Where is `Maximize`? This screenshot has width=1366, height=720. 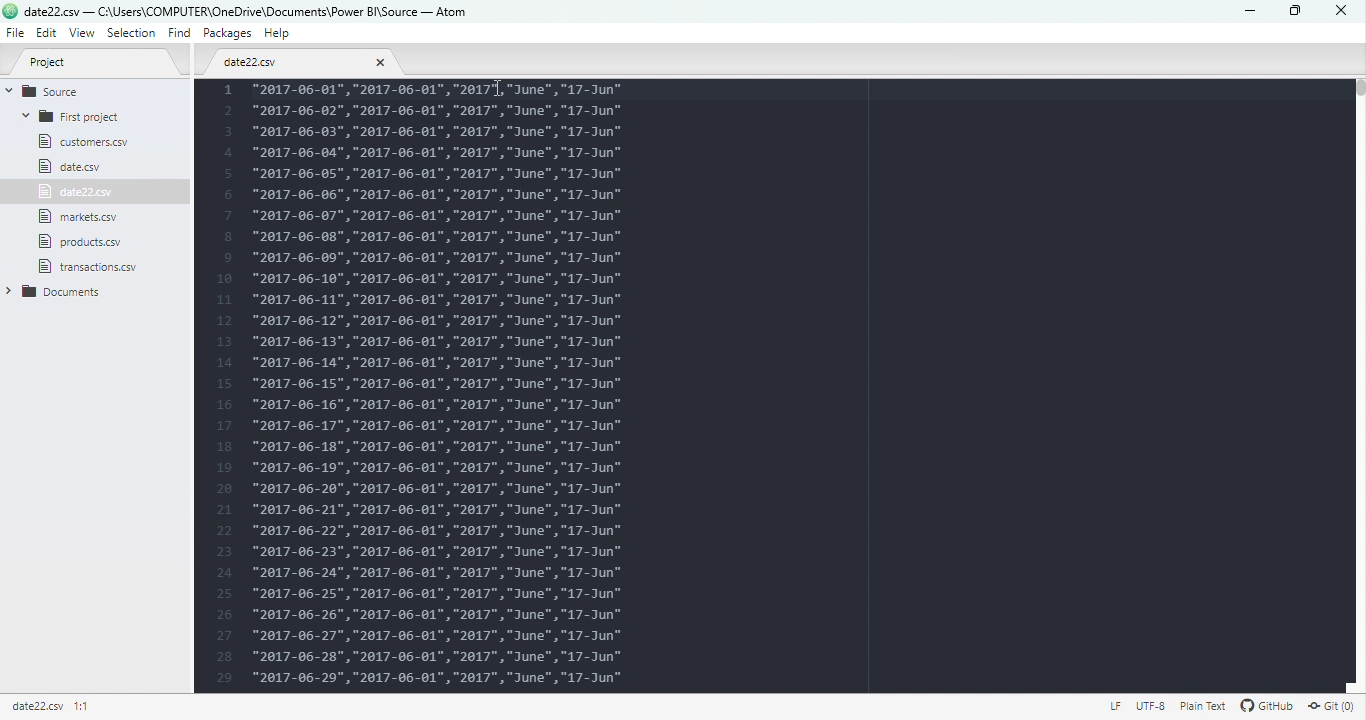
Maximize is located at coordinates (1291, 11).